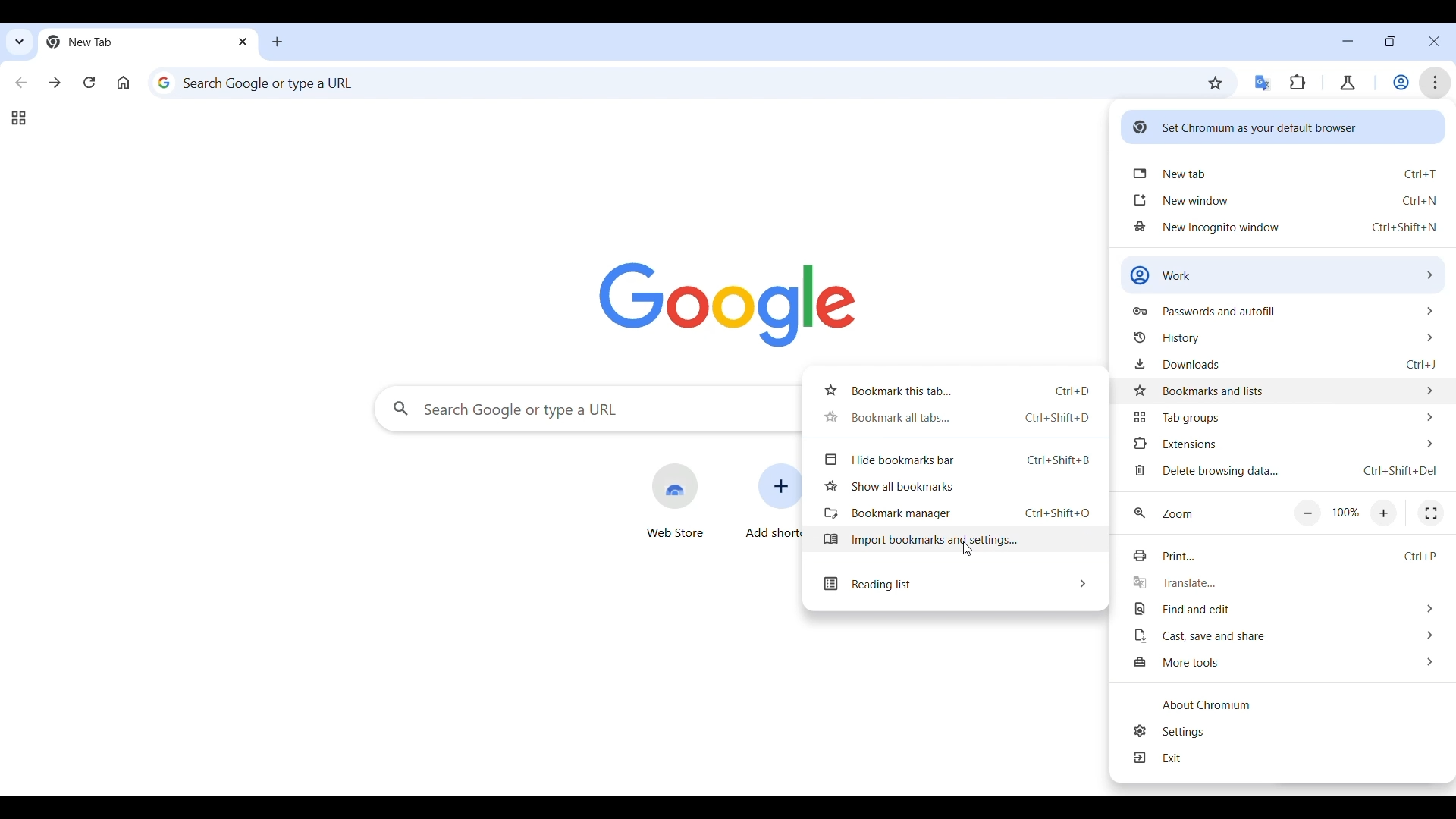 The width and height of the screenshot is (1456, 819). What do you see at coordinates (1164, 513) in the screenshot?
I see `Zoom` at bounding box center [1164, 513].